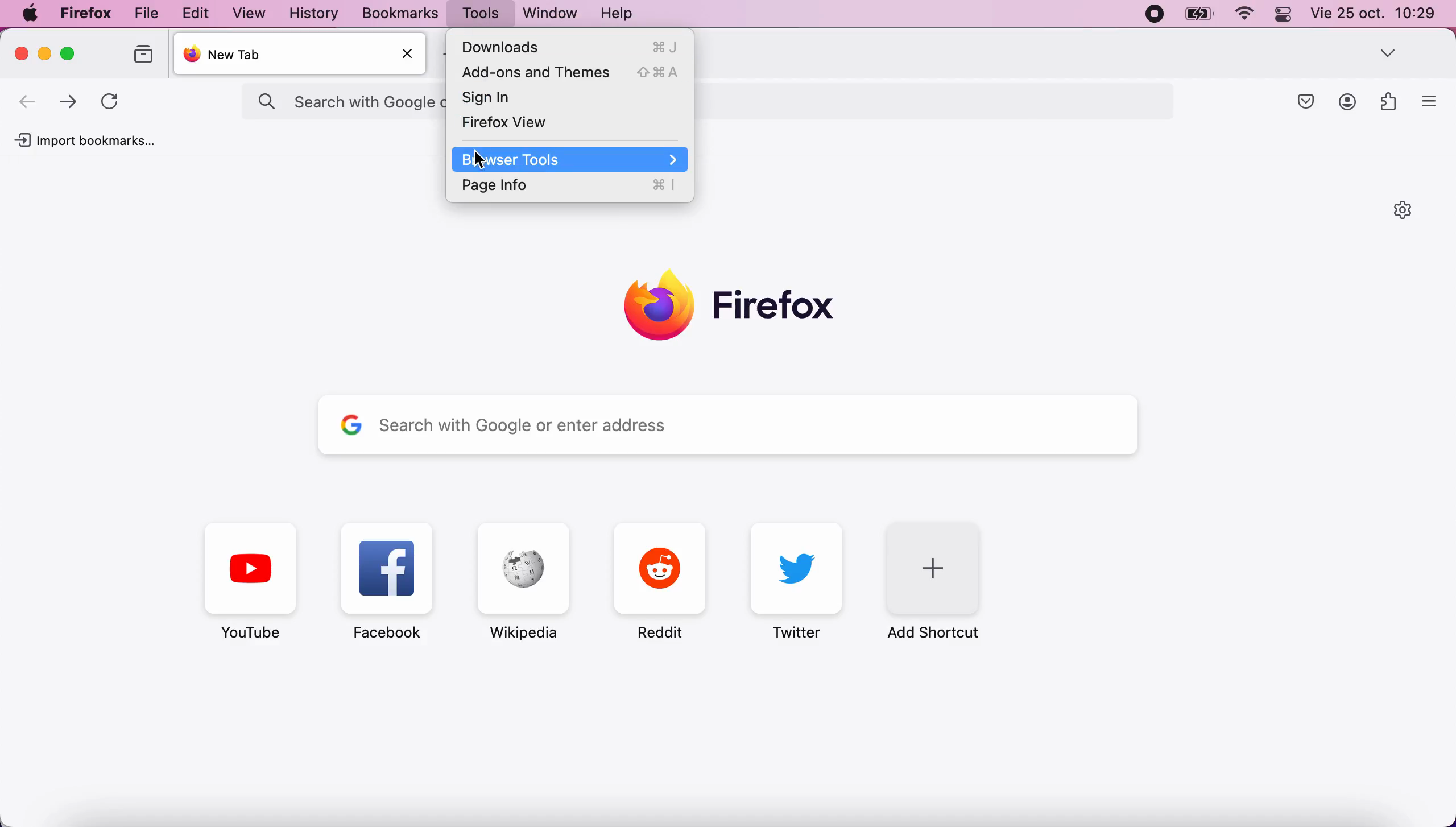 This screenshot has height=827, width=1456. I want to click on View, so click(251, 13).